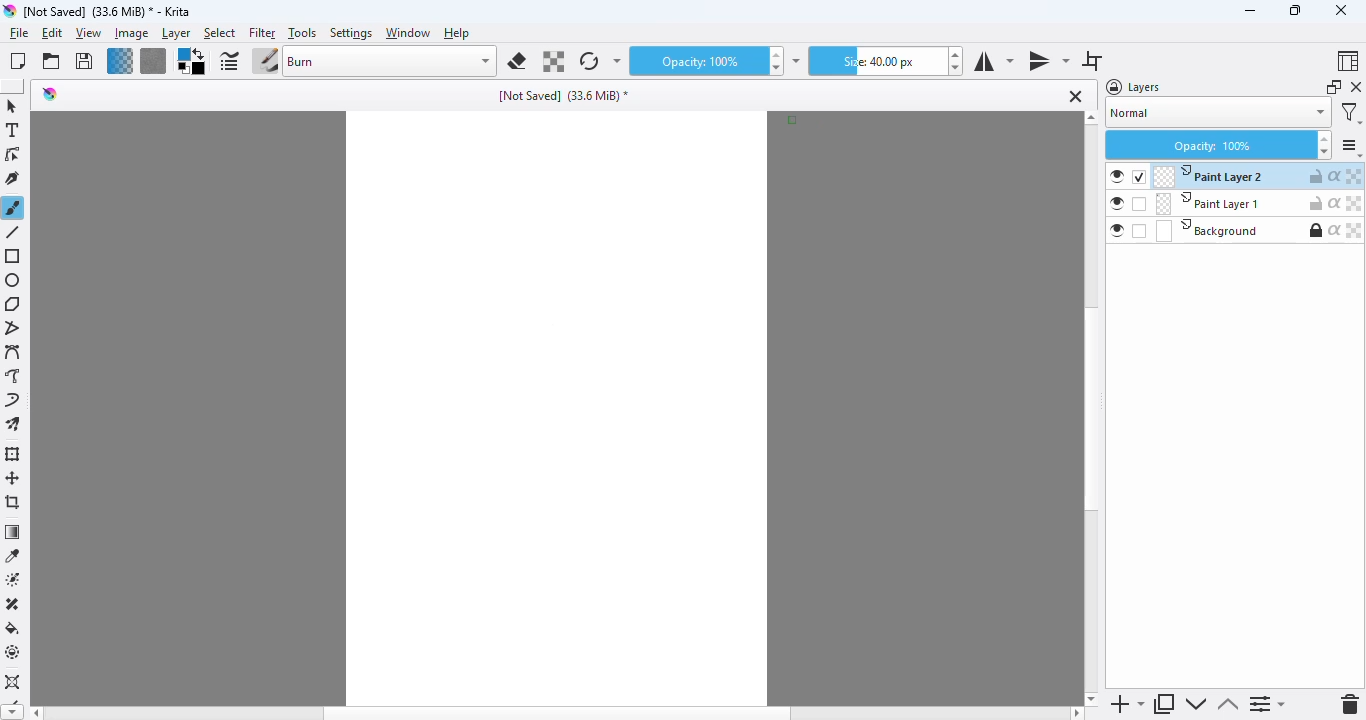 This screenshot has width=1366, height=720. I want to click on rectangle tool, so click(14, 257).